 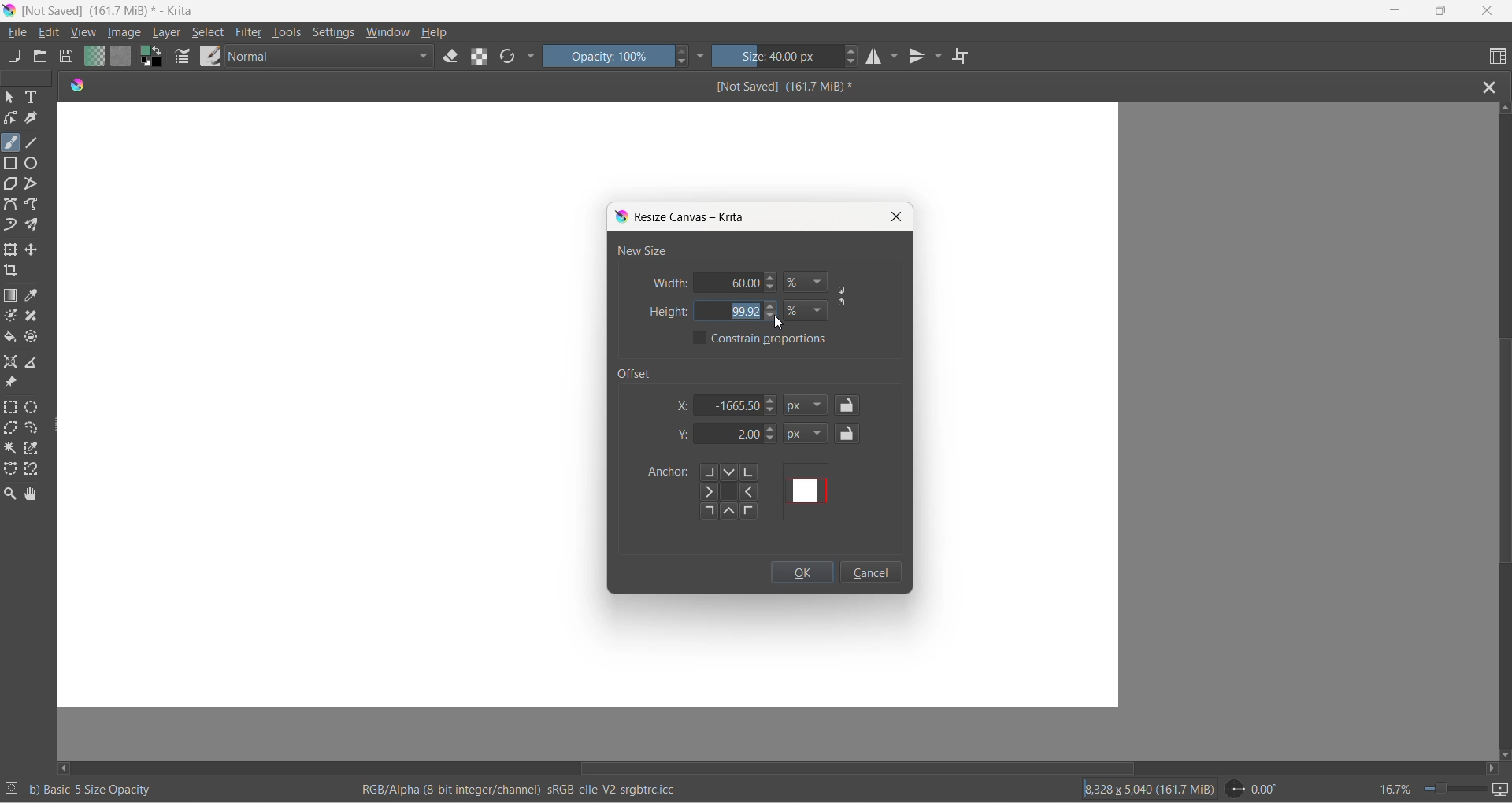 What do you see at coordinates (35, 471) in the screenshot?
I see `magnetic curve selection tool` at bounding box center [35, 471].